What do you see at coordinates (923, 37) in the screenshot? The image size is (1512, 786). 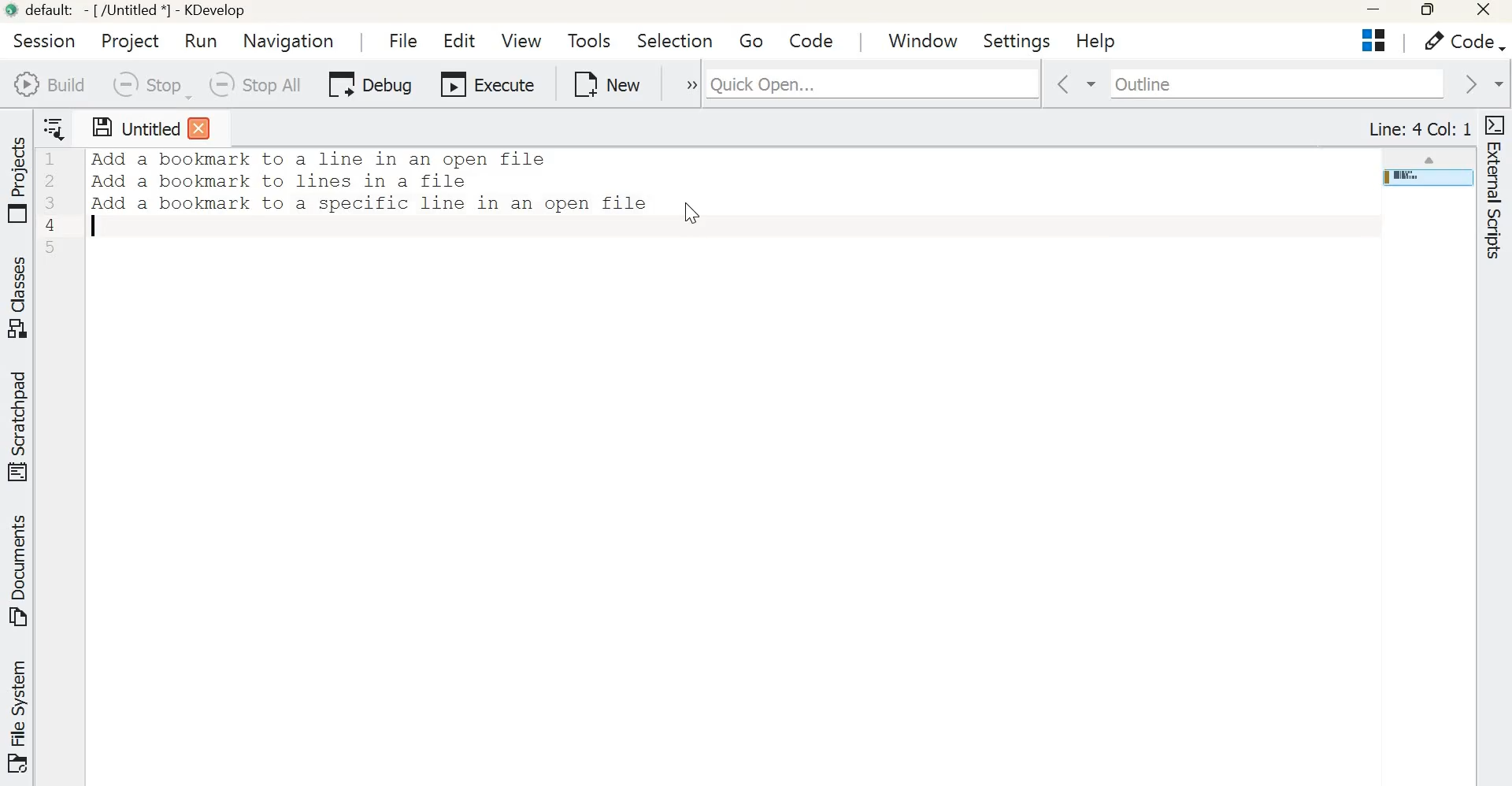 I see `window` at bounding box center [923, 37].